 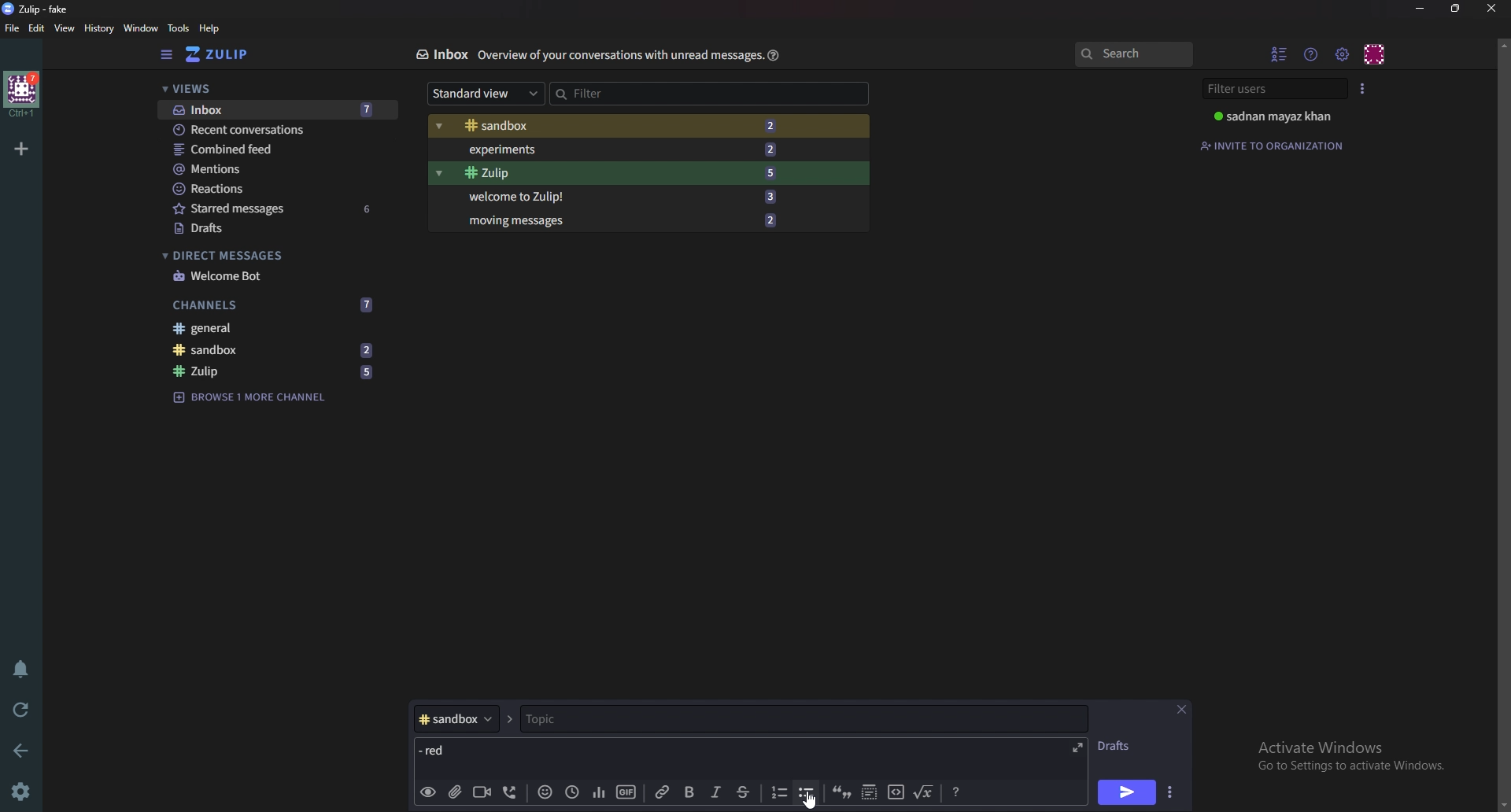 I want to click on Sandbox, so click(x=614, y=127).